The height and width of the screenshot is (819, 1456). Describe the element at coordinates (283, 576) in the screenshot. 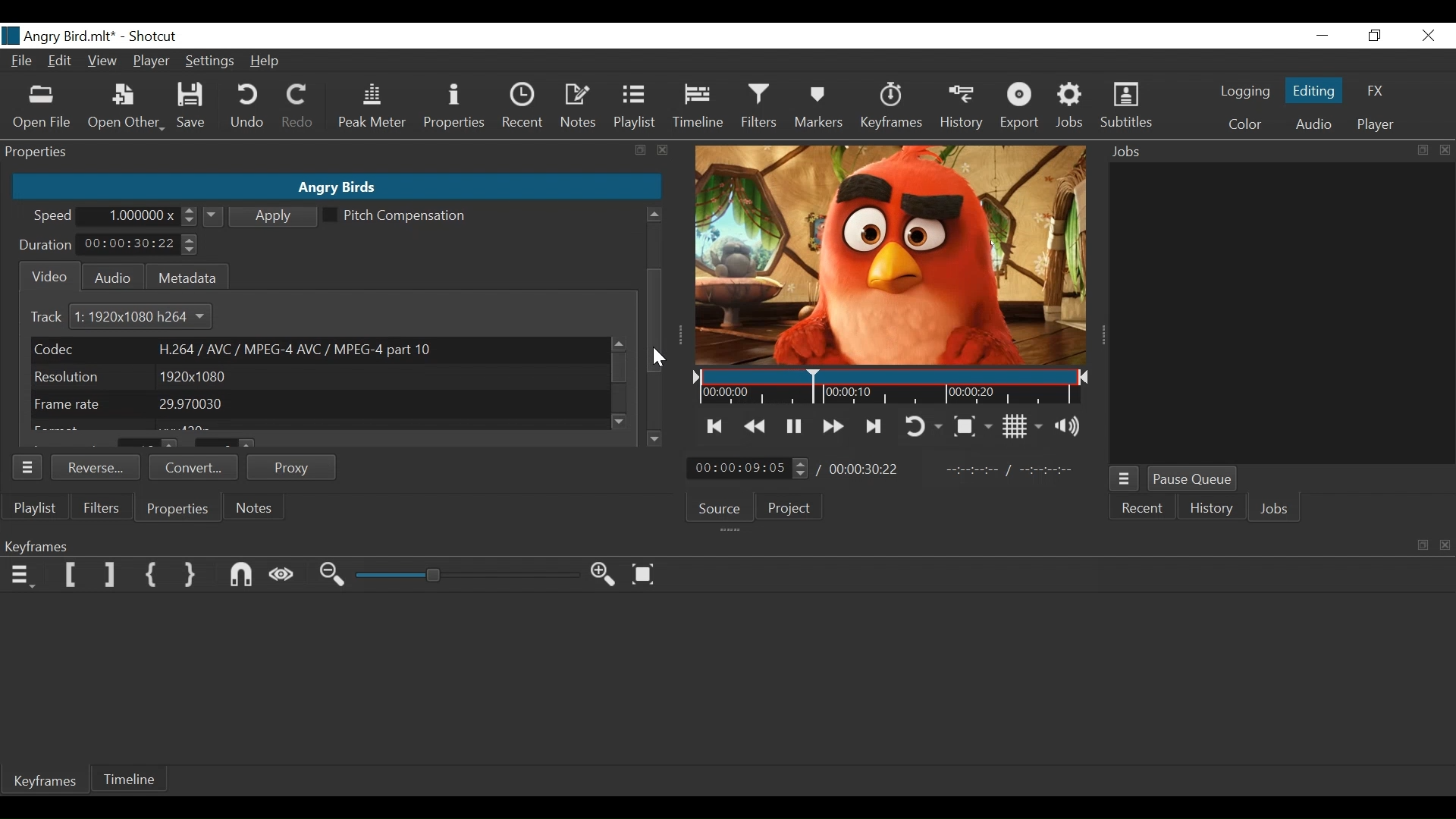

I see `Scrub while dragging` at that location.